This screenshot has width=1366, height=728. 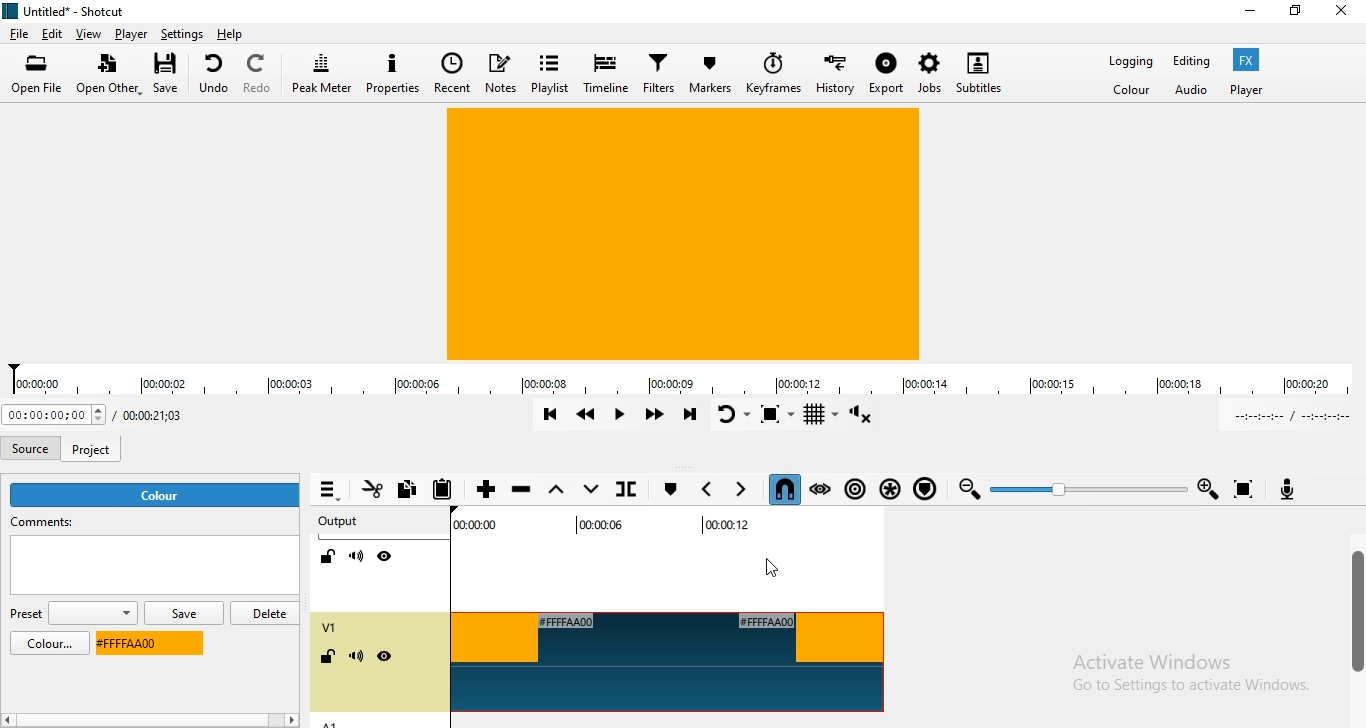 I want to click on Audio, so click(x=1192, y=90).